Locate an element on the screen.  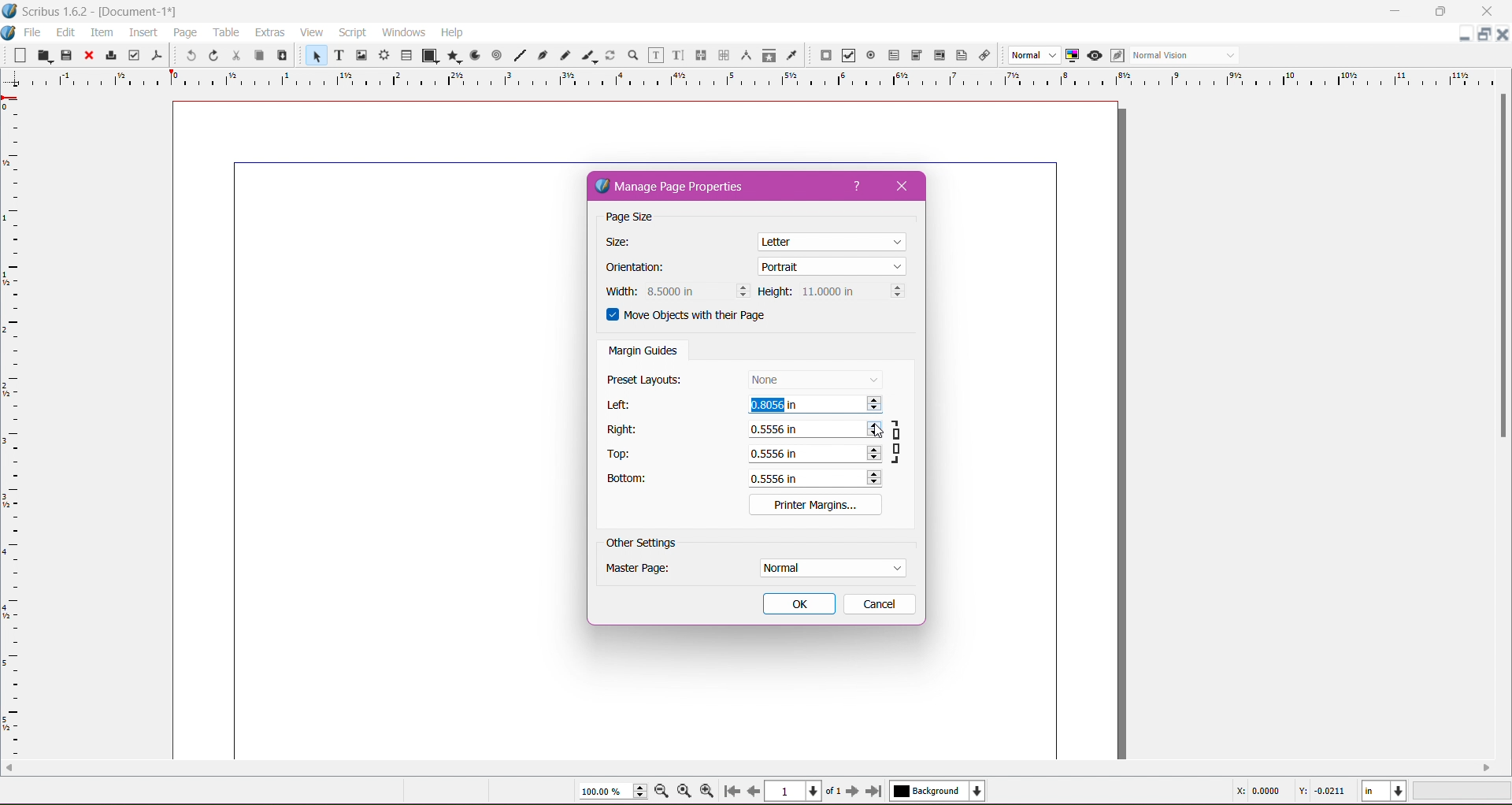
Eye Dropper is located at coordinates (791, 55).